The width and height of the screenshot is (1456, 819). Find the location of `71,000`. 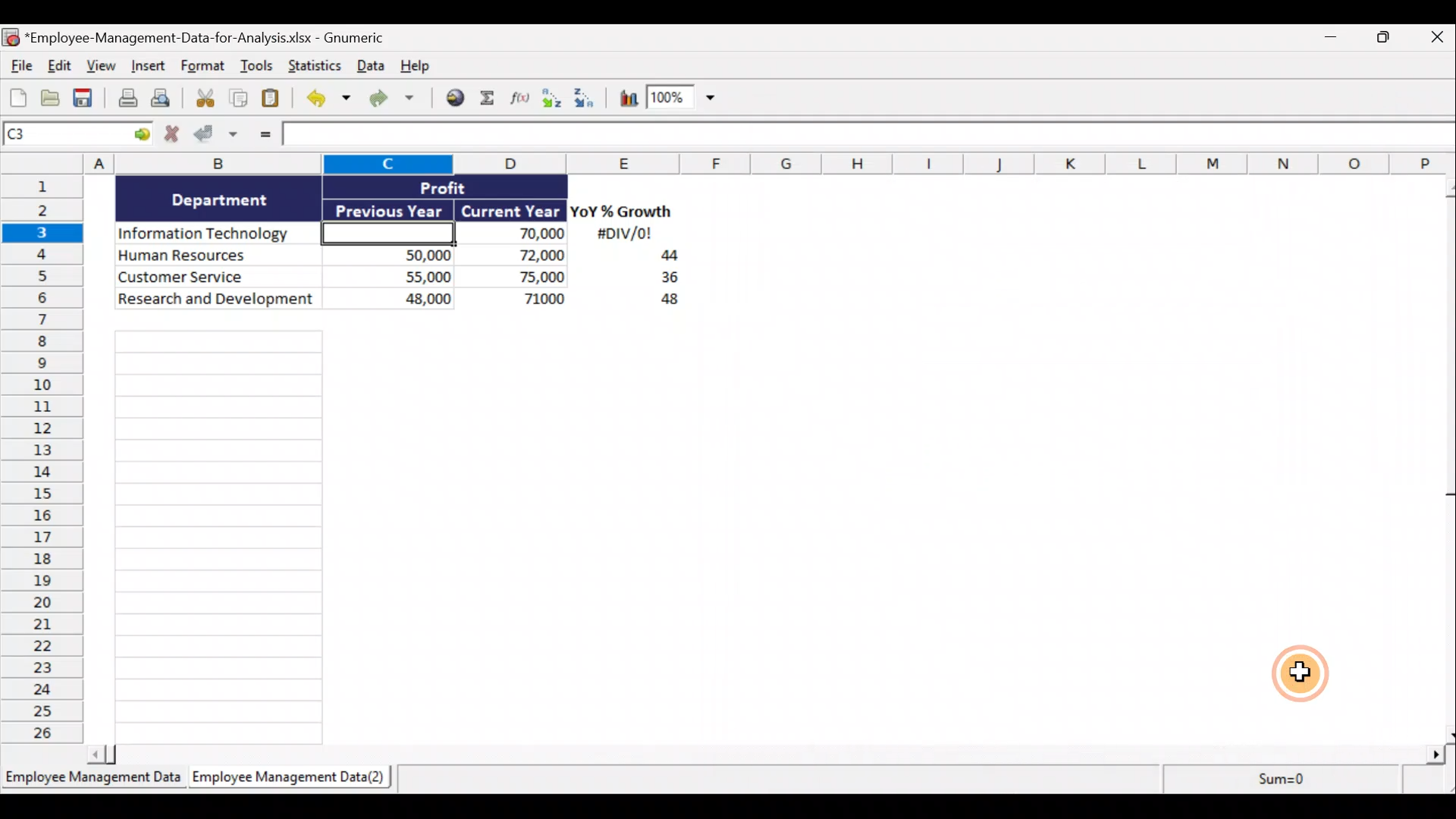

71,000 is located at coordinates (522, 300).